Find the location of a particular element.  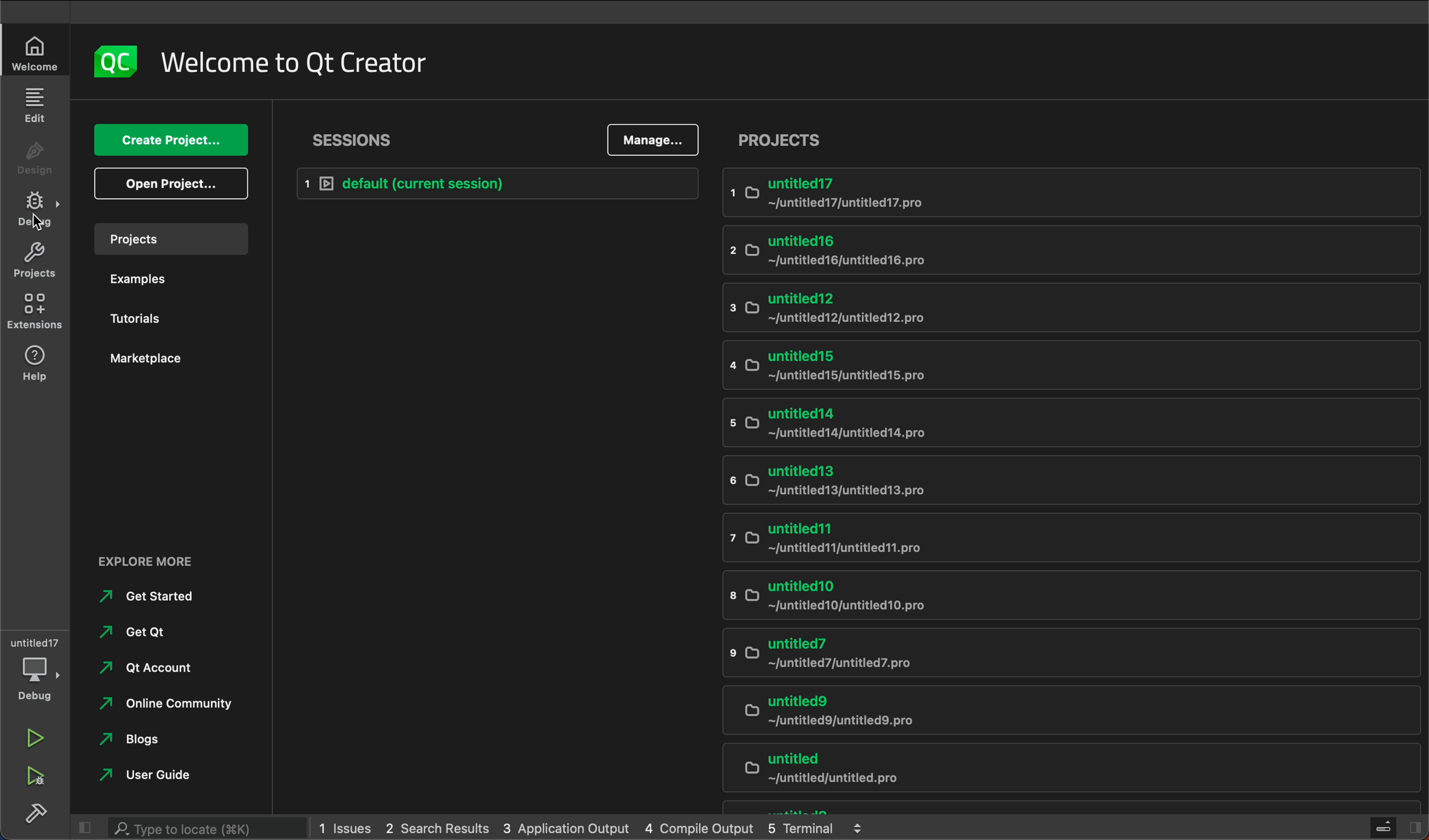

run is located at coordinates (35, 738).